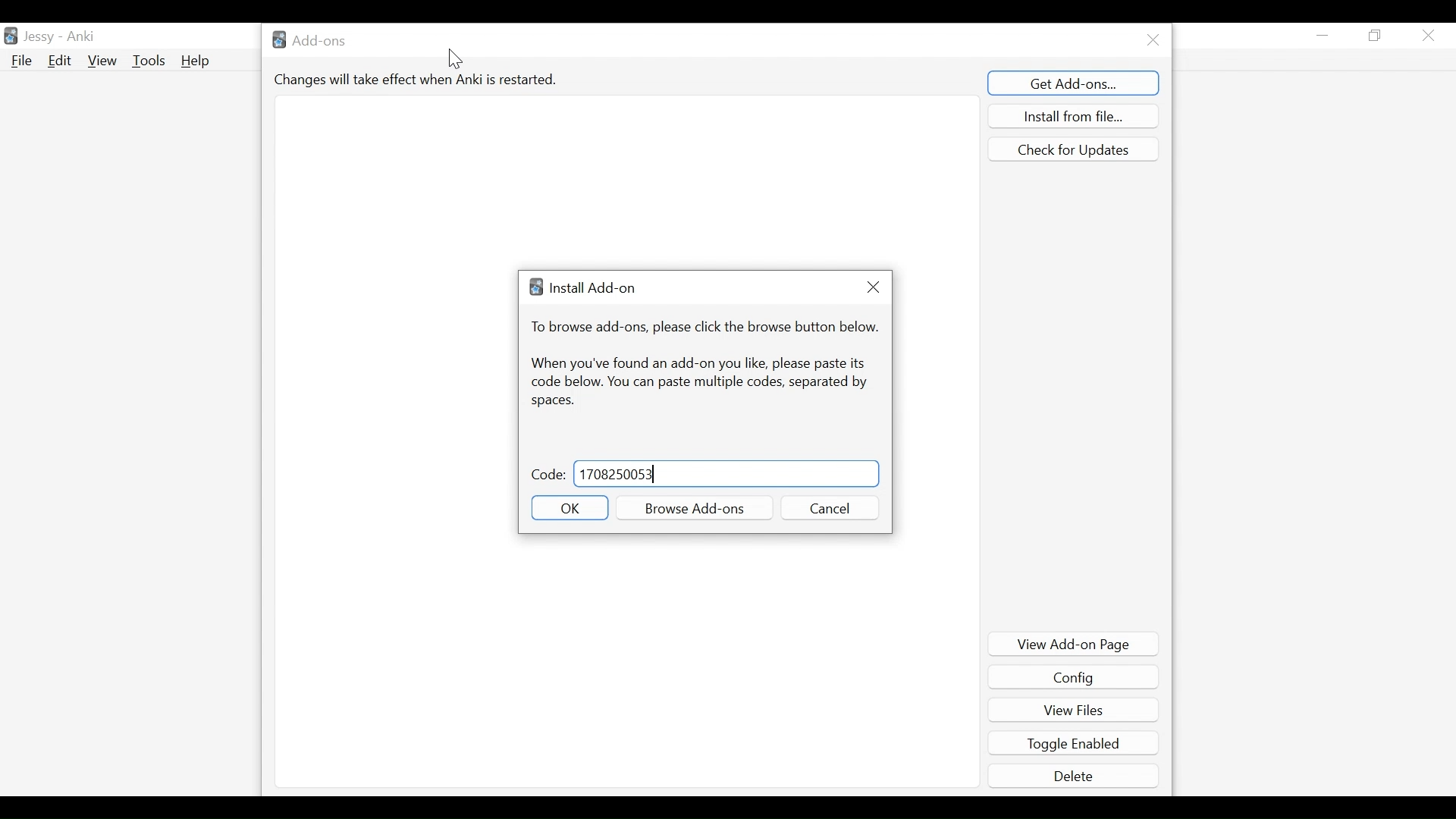 This screenshot has width=1456, height=819. I want to click on Get Add-ons, so click(1075, 82).